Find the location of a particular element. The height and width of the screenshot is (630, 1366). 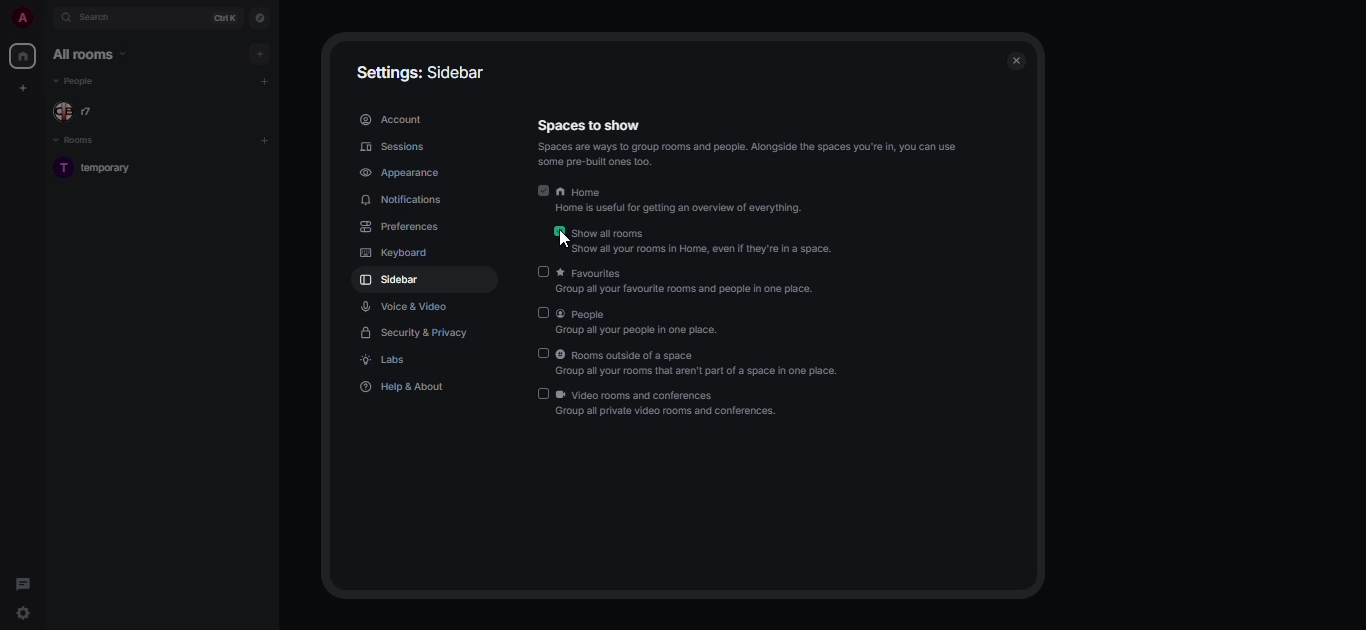

people is located at coordinates (641, 322).